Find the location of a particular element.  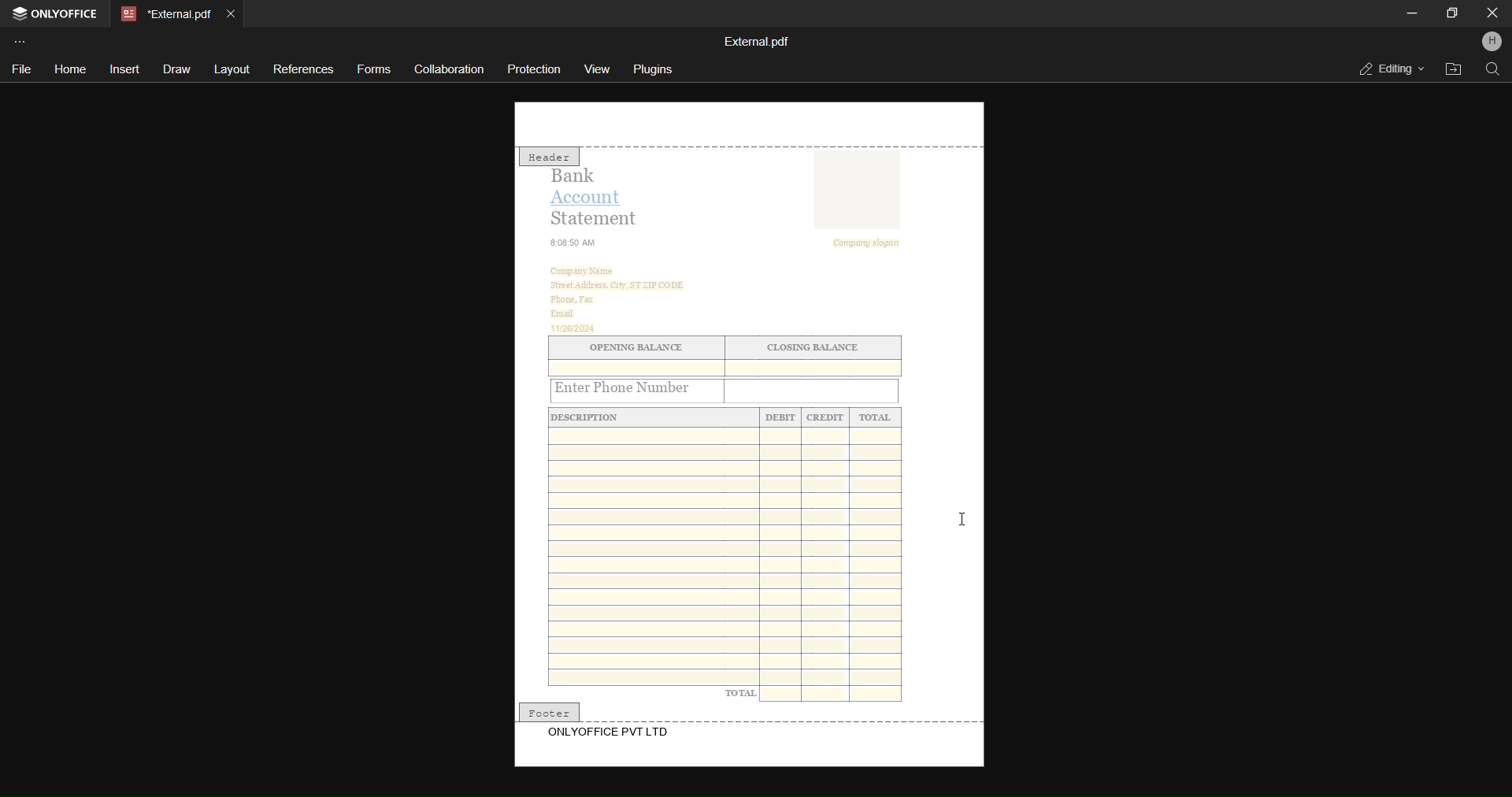

Bank is located at coordinates (580, 176).